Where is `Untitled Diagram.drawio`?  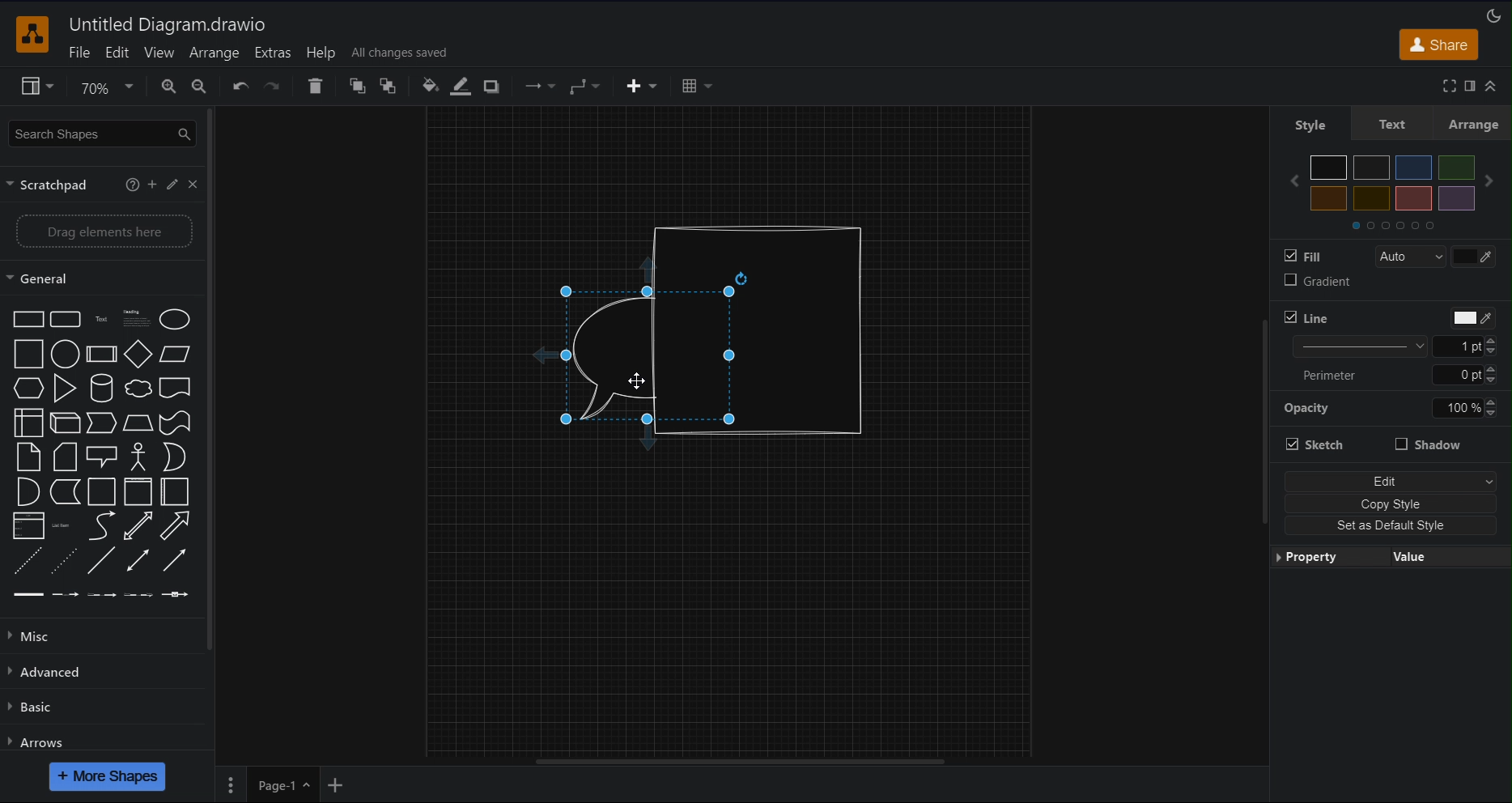 Untitled Diagram.drawio is located at coordinates (168, 24).